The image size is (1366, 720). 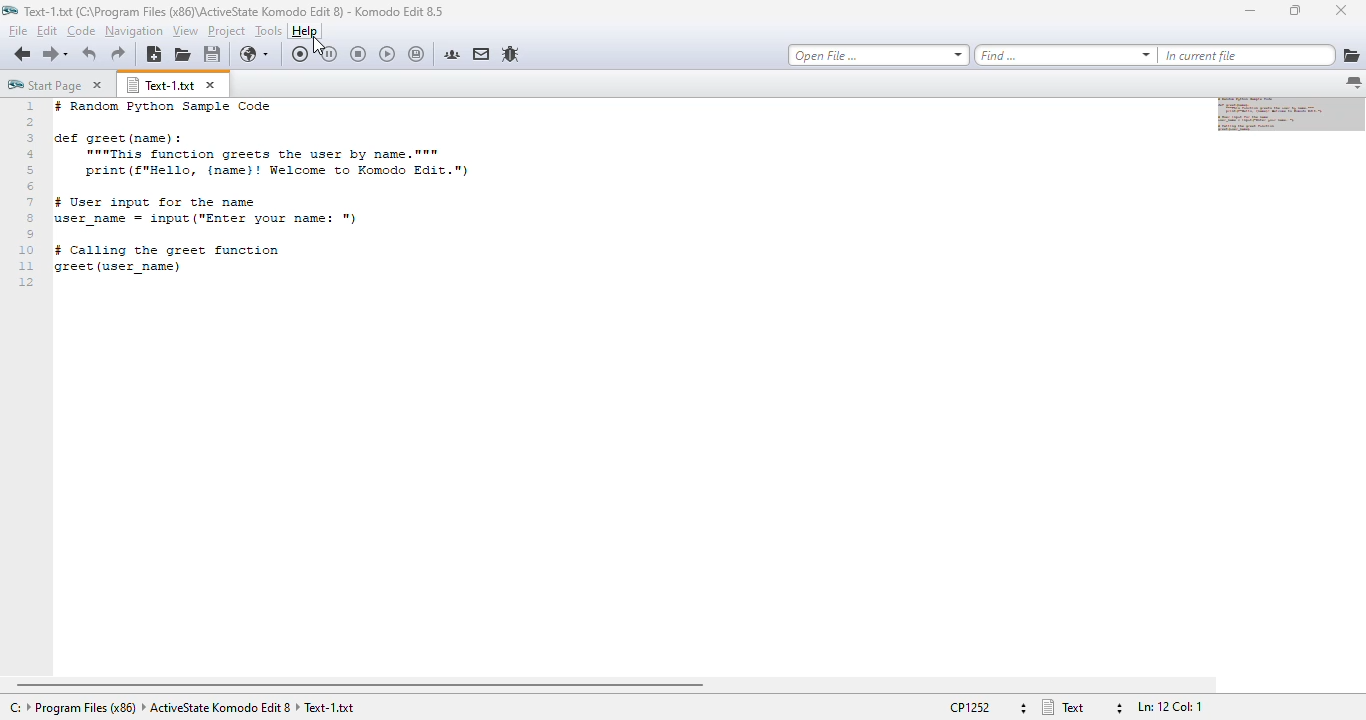 I want to click on recent locations, so click(x=68, y=53).